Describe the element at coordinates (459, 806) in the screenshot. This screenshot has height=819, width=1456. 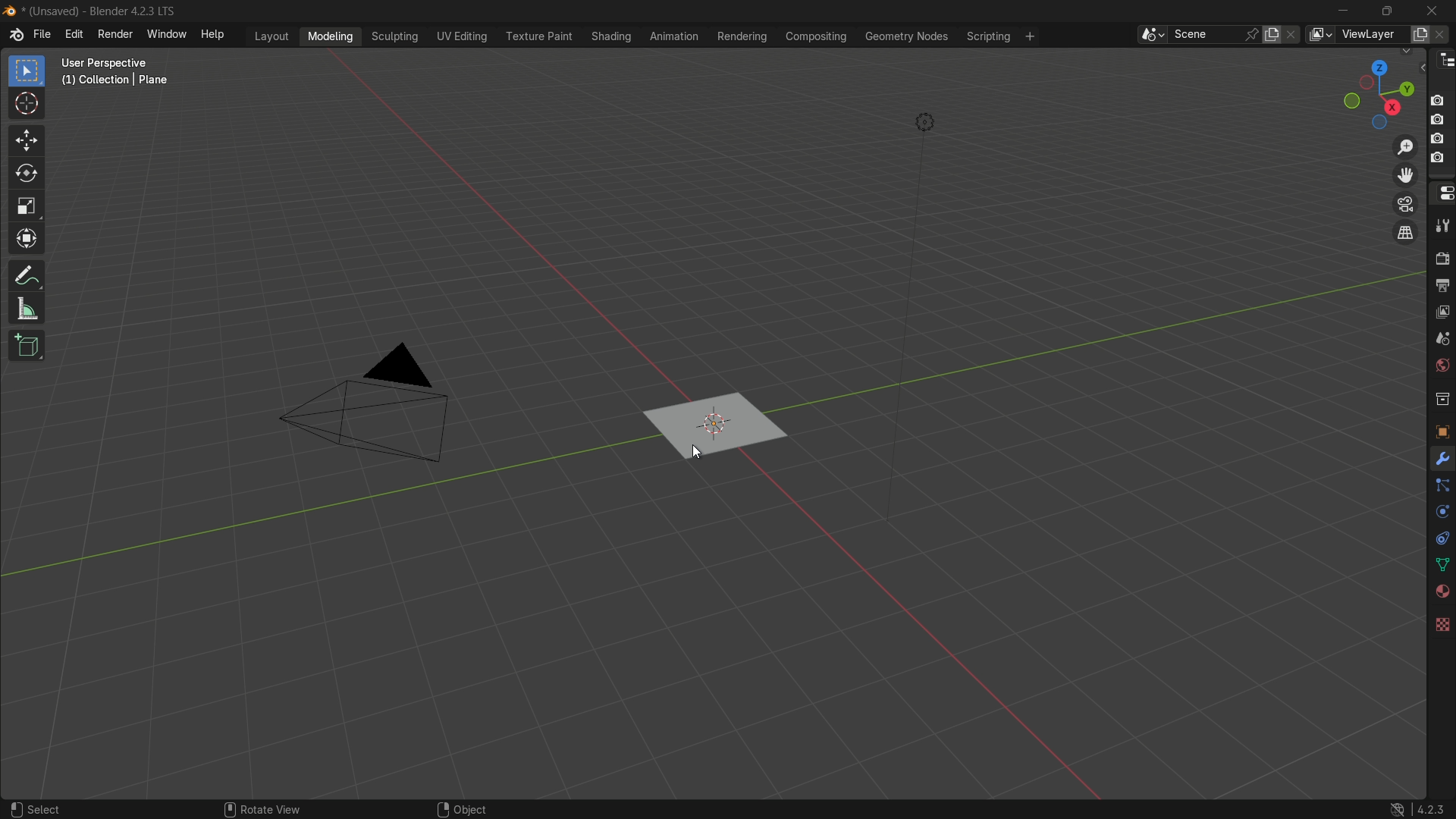
I see `object` at that location.